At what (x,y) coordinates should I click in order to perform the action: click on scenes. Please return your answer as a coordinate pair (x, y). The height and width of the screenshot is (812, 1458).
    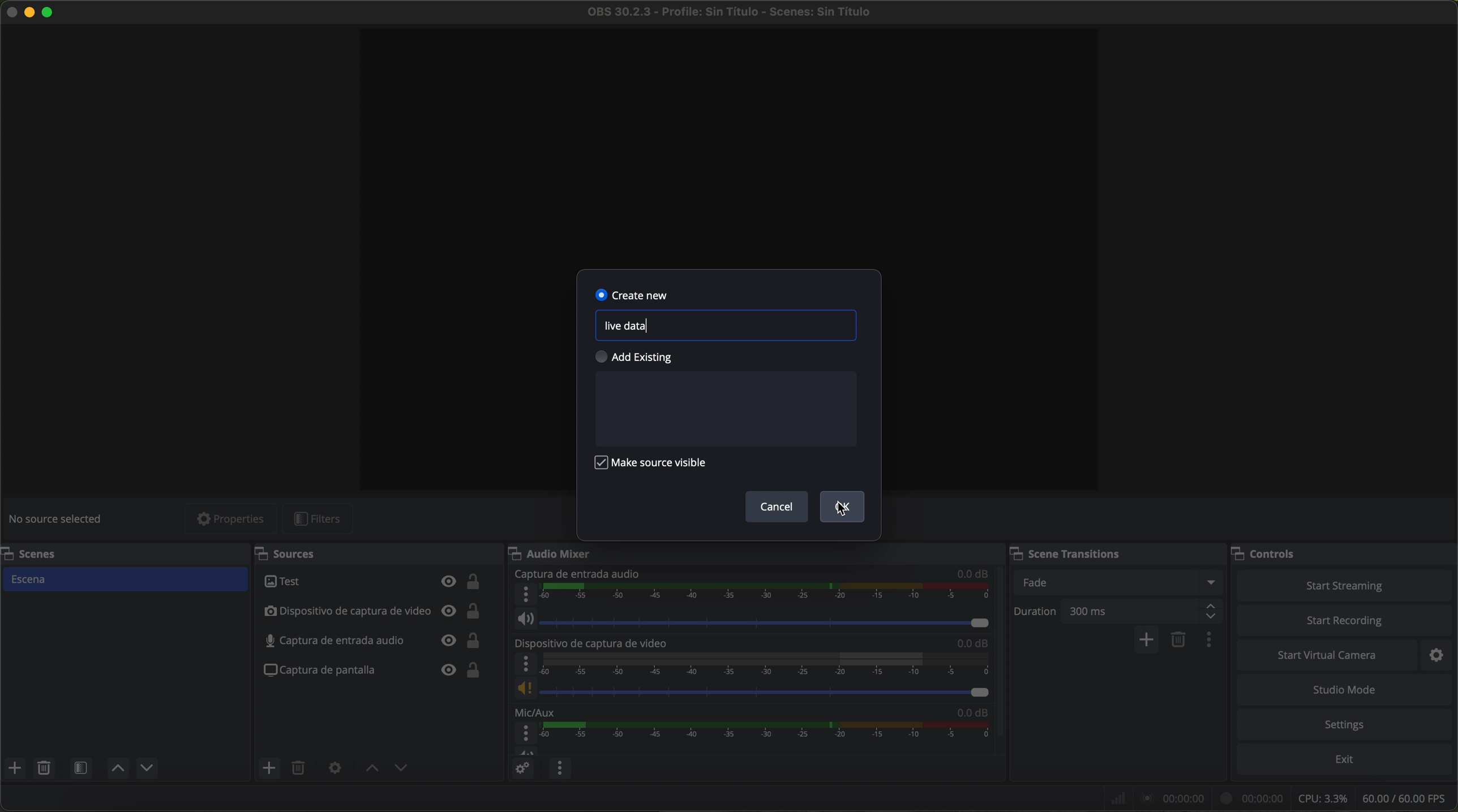
    Looking at the image, I should click on (40, 554).